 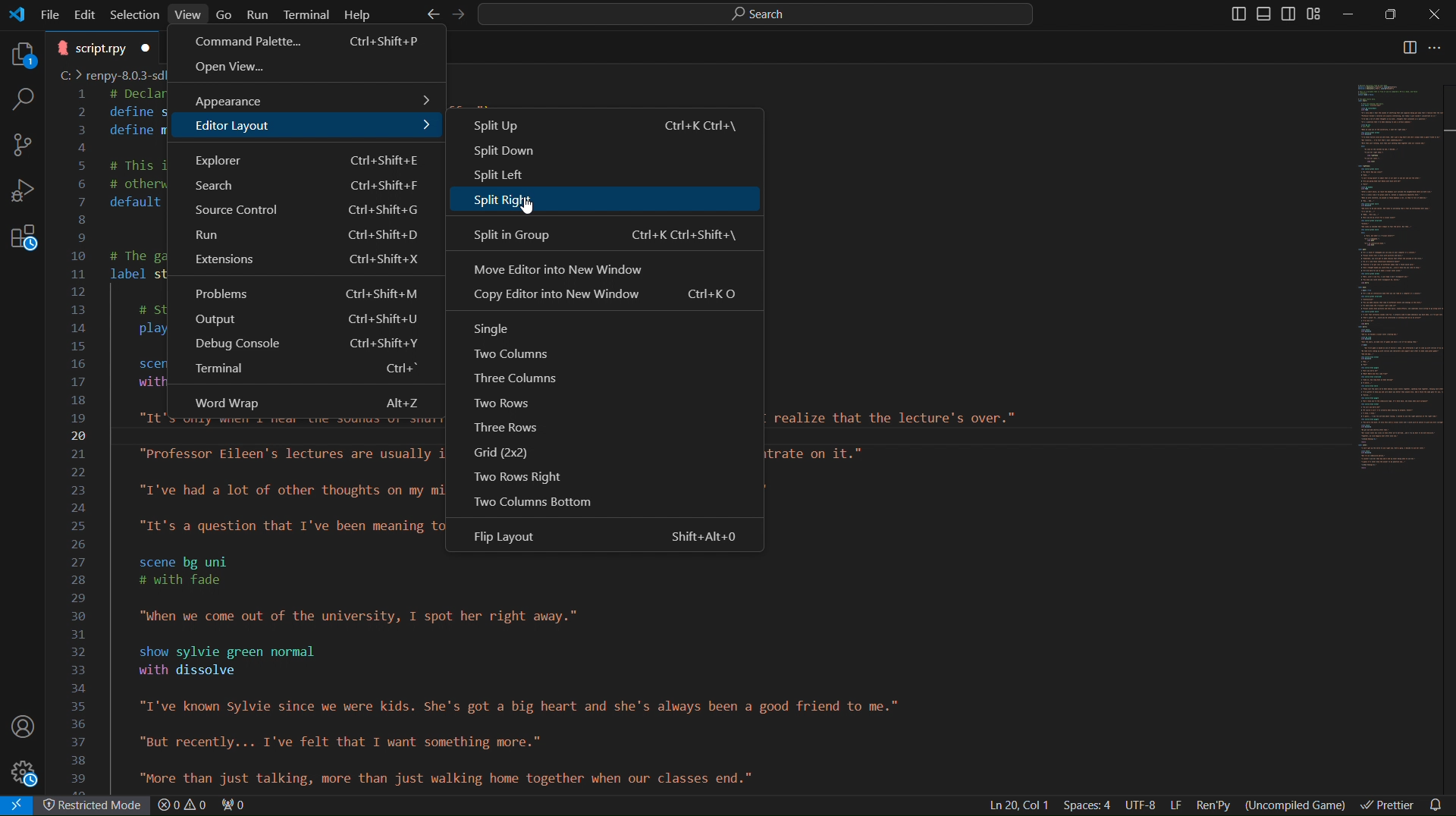 What do you see at coordinates (510, 452) in the screenshot?
I see `Grid(2x2)` at bounding box center [510, 452].